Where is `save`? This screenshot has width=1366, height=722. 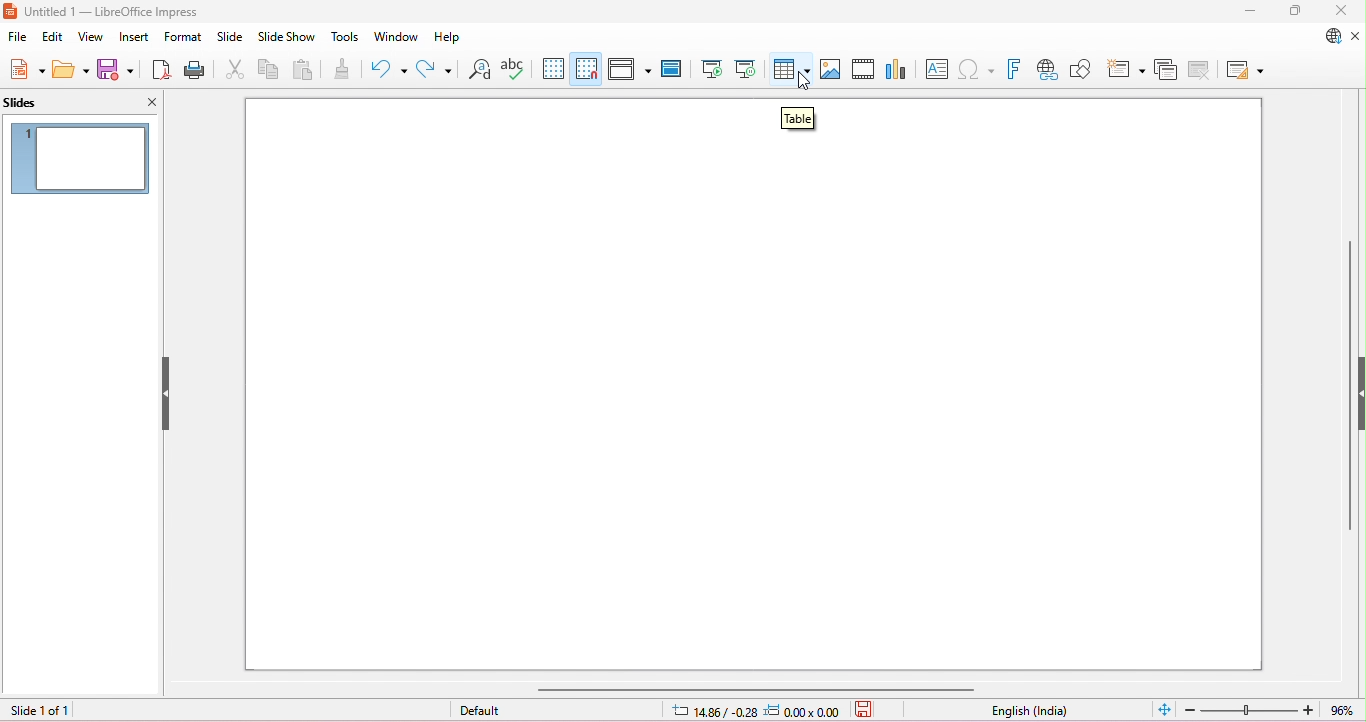
save is located at coordinates (116, 69).